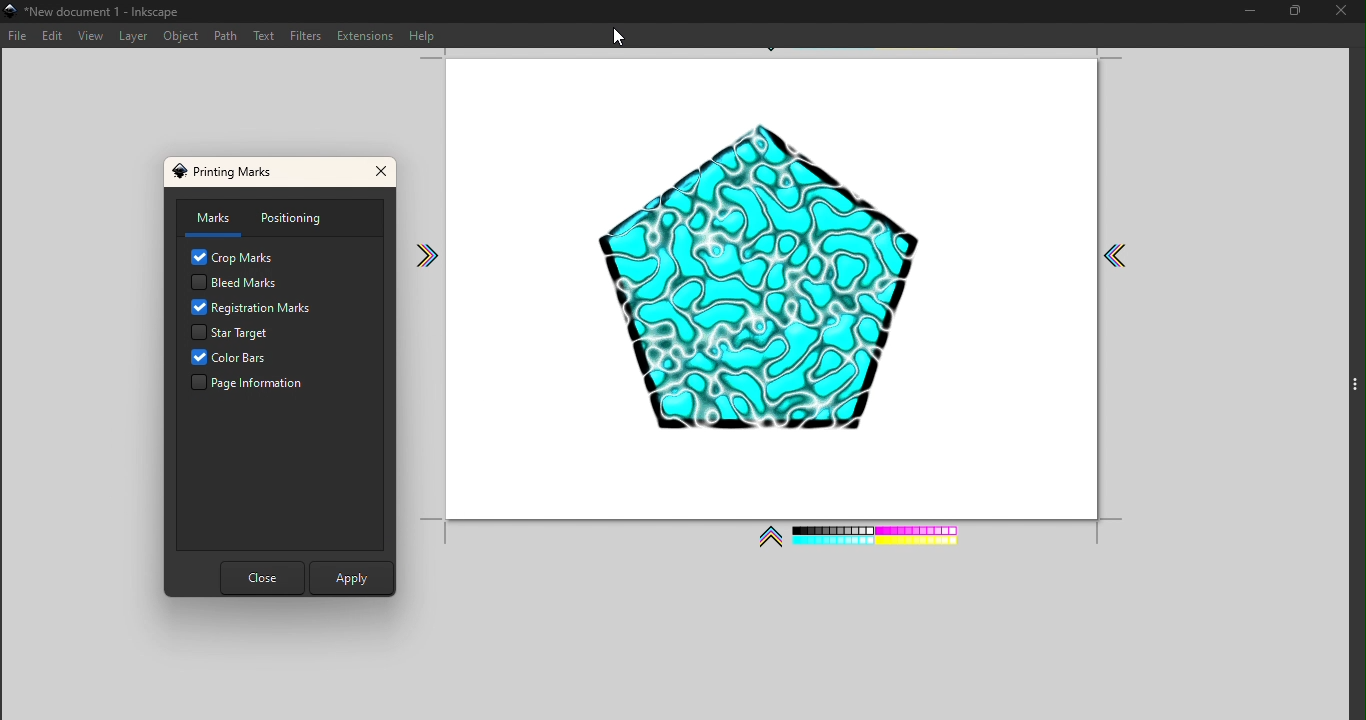 Image resolution: width=1366 pixels, height=720 pixels. Describe the element at coordinates (52, 37) in the screenshot. I see `Edit` at that location.